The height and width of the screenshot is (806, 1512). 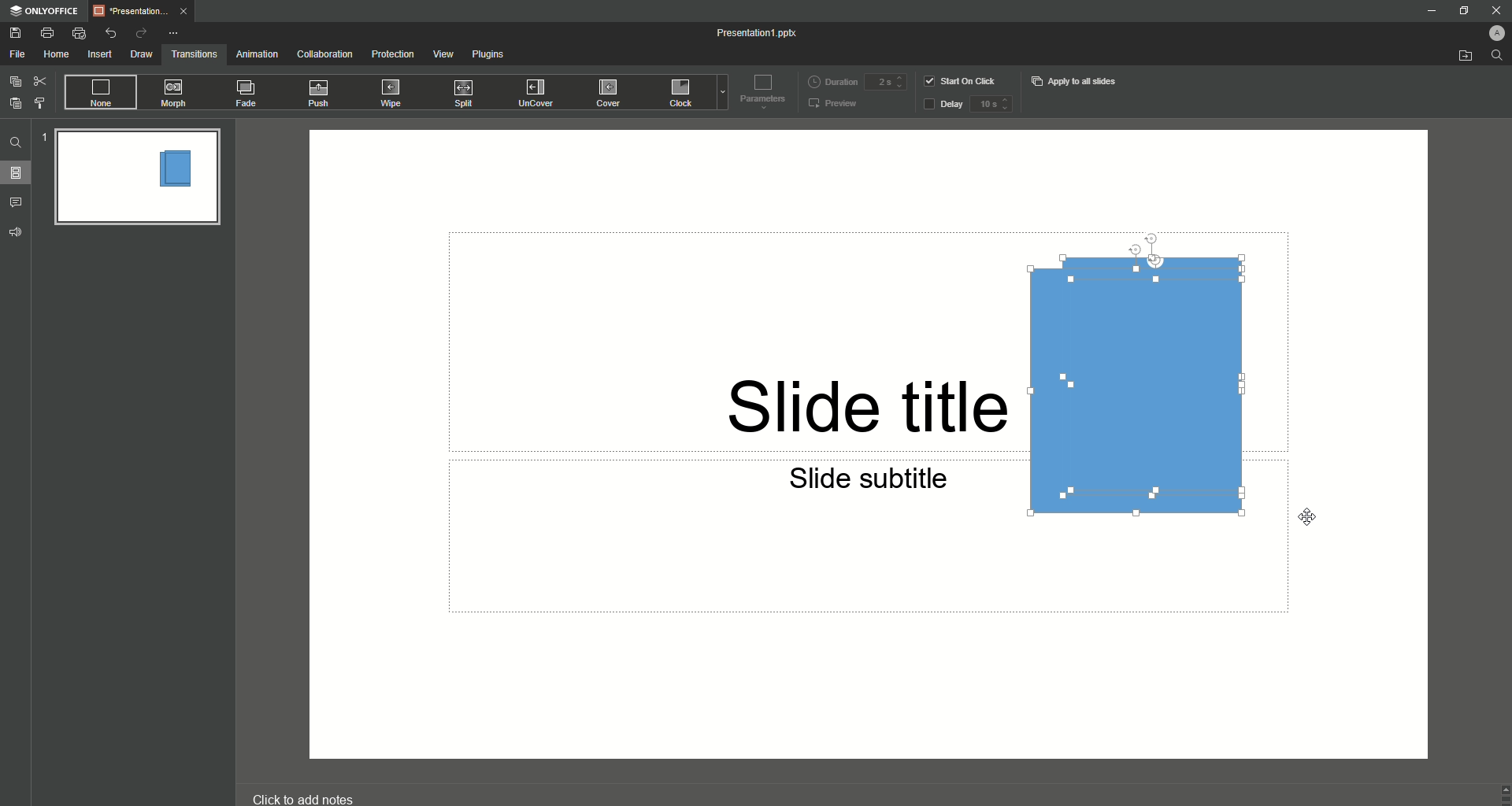 What do you see at coordinates (318, 791) in the screenshot?
I see `click to add notes` at bounding box center [318, 791].